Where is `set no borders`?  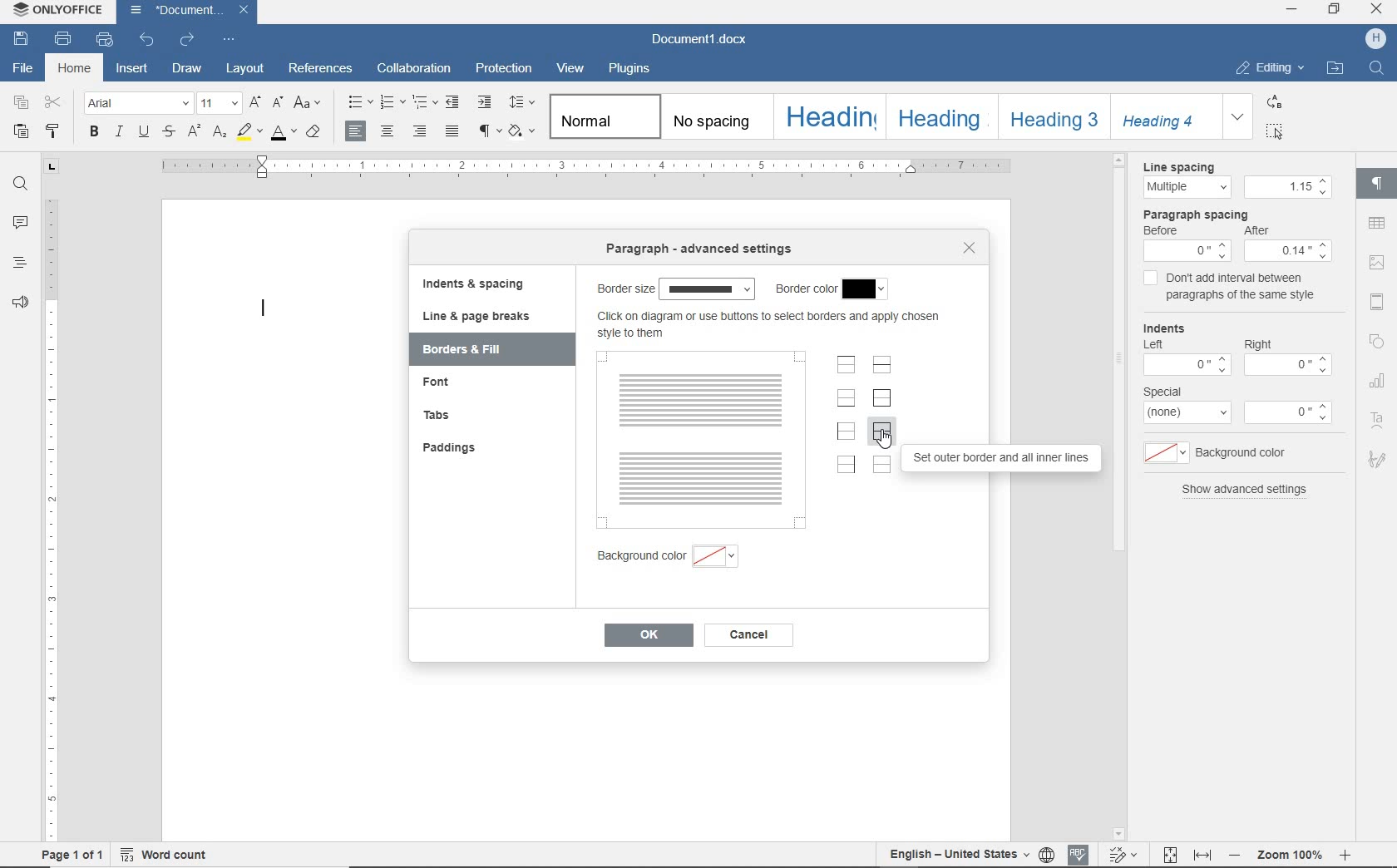 set no borders is located at coordinates (883, 467).